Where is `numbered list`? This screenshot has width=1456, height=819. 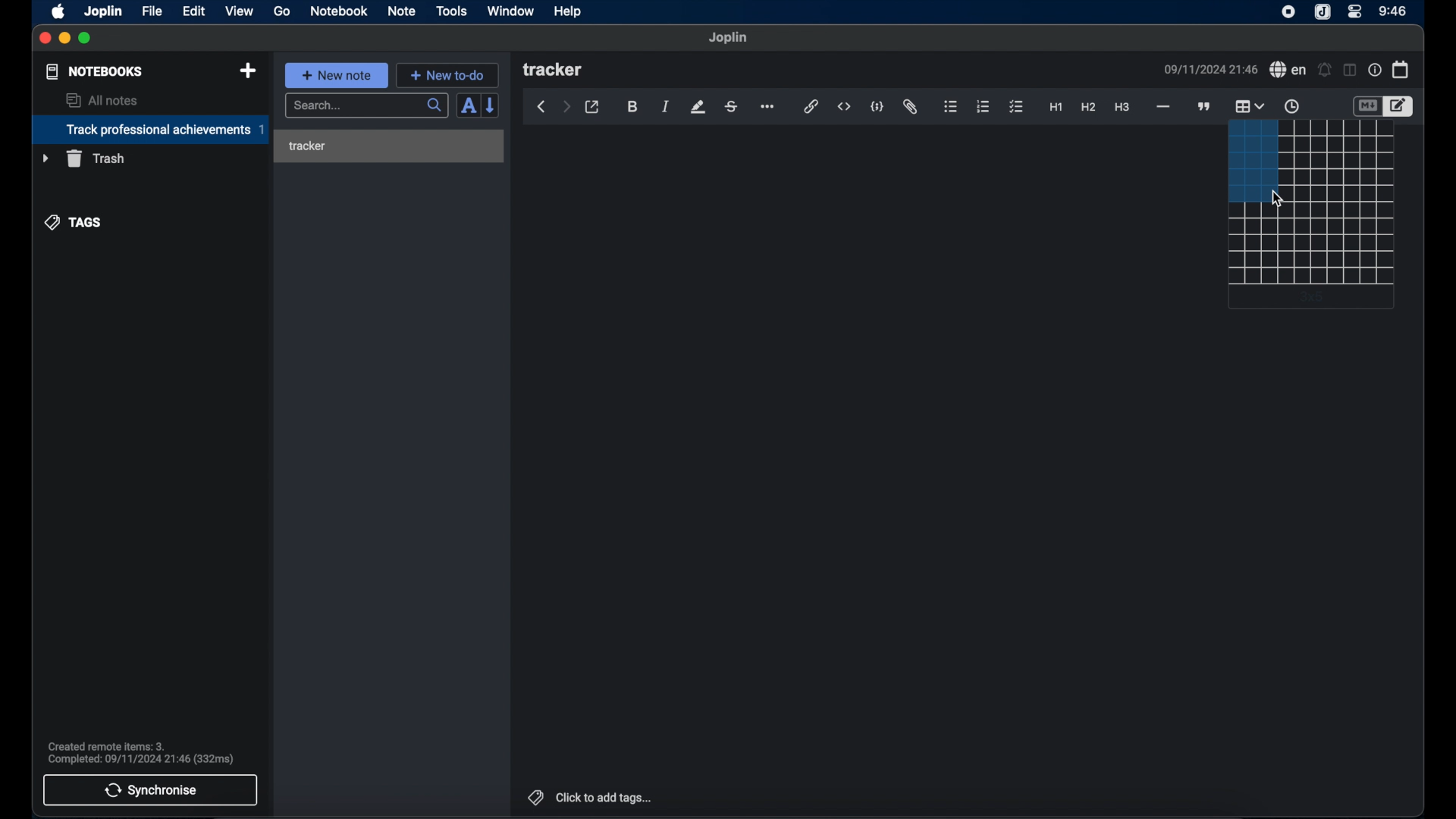 numbered list is located at coordinates (984, 106).